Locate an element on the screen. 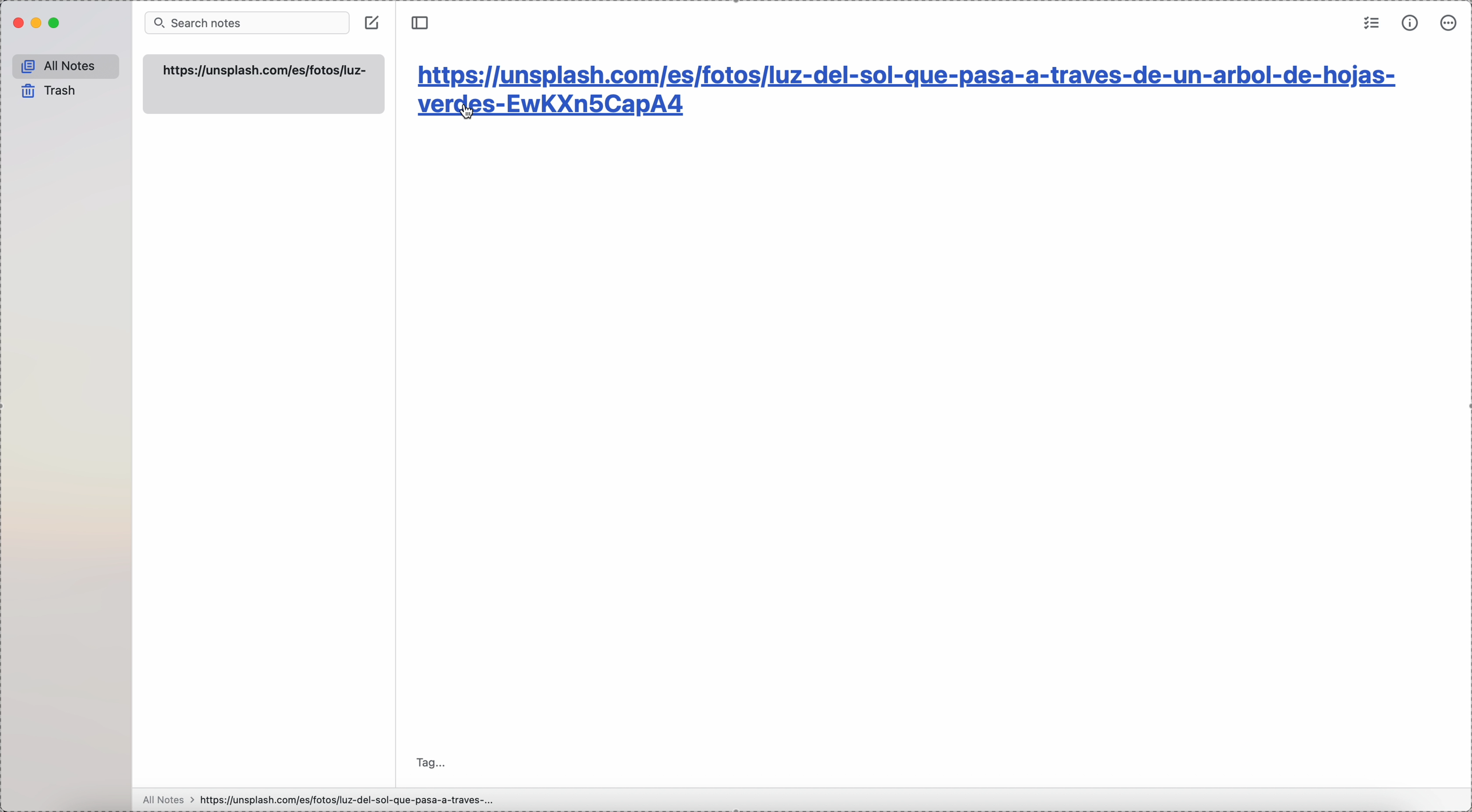 This screenshot has width=1472, height=812. close Simplenote is located at coordinates (18, 24).